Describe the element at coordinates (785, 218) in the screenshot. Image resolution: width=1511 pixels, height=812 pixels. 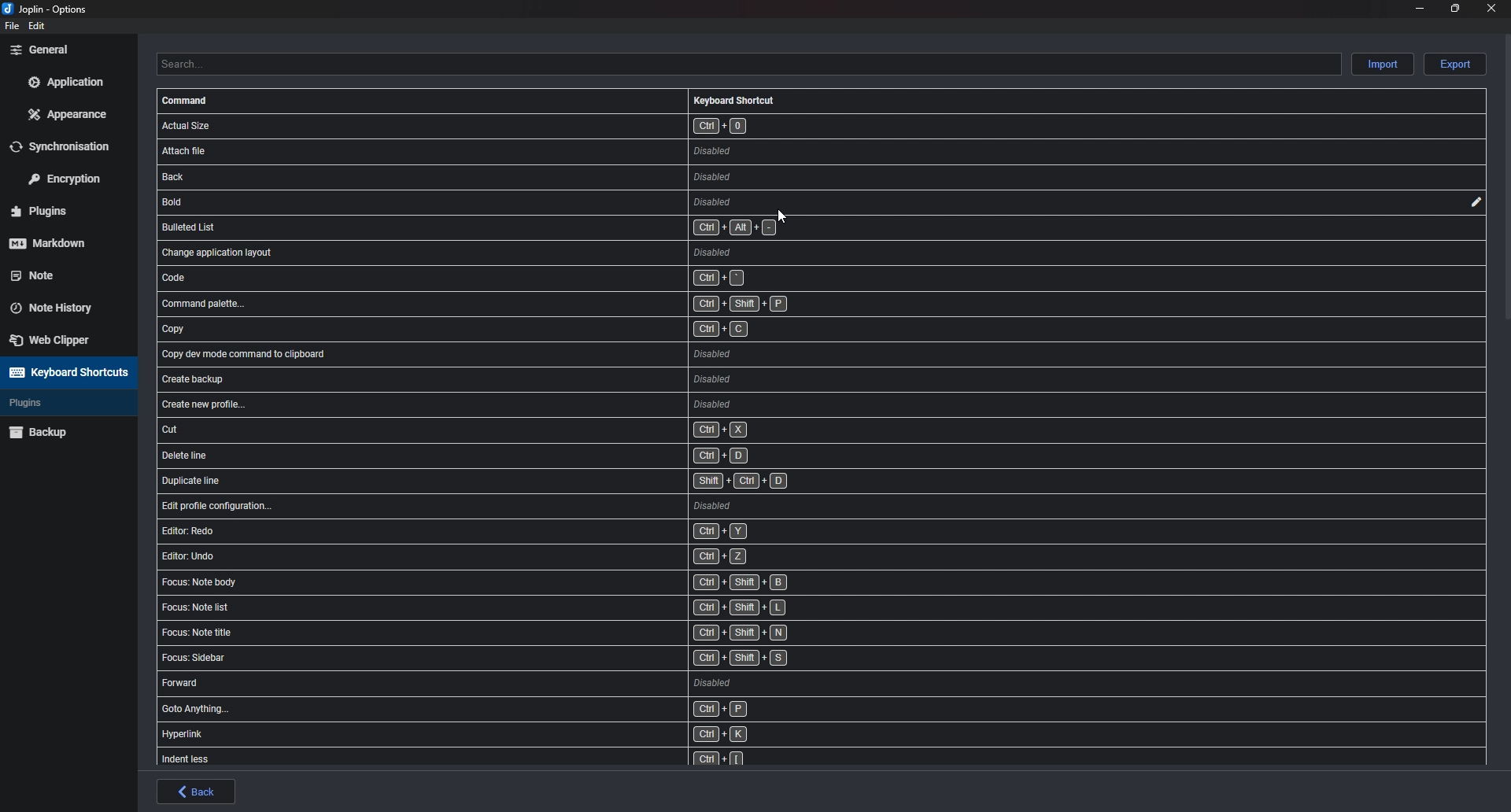
I see `cursor` at that location.